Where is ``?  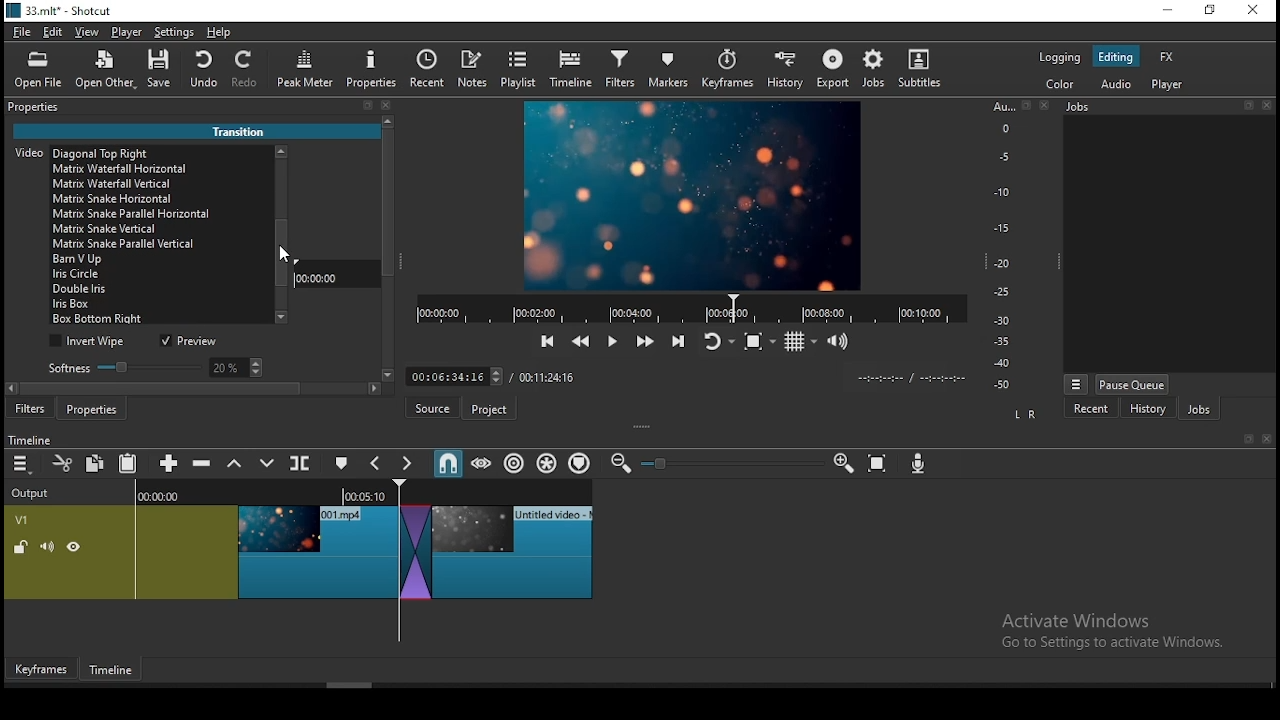  is located at coordinates (1043, 106).